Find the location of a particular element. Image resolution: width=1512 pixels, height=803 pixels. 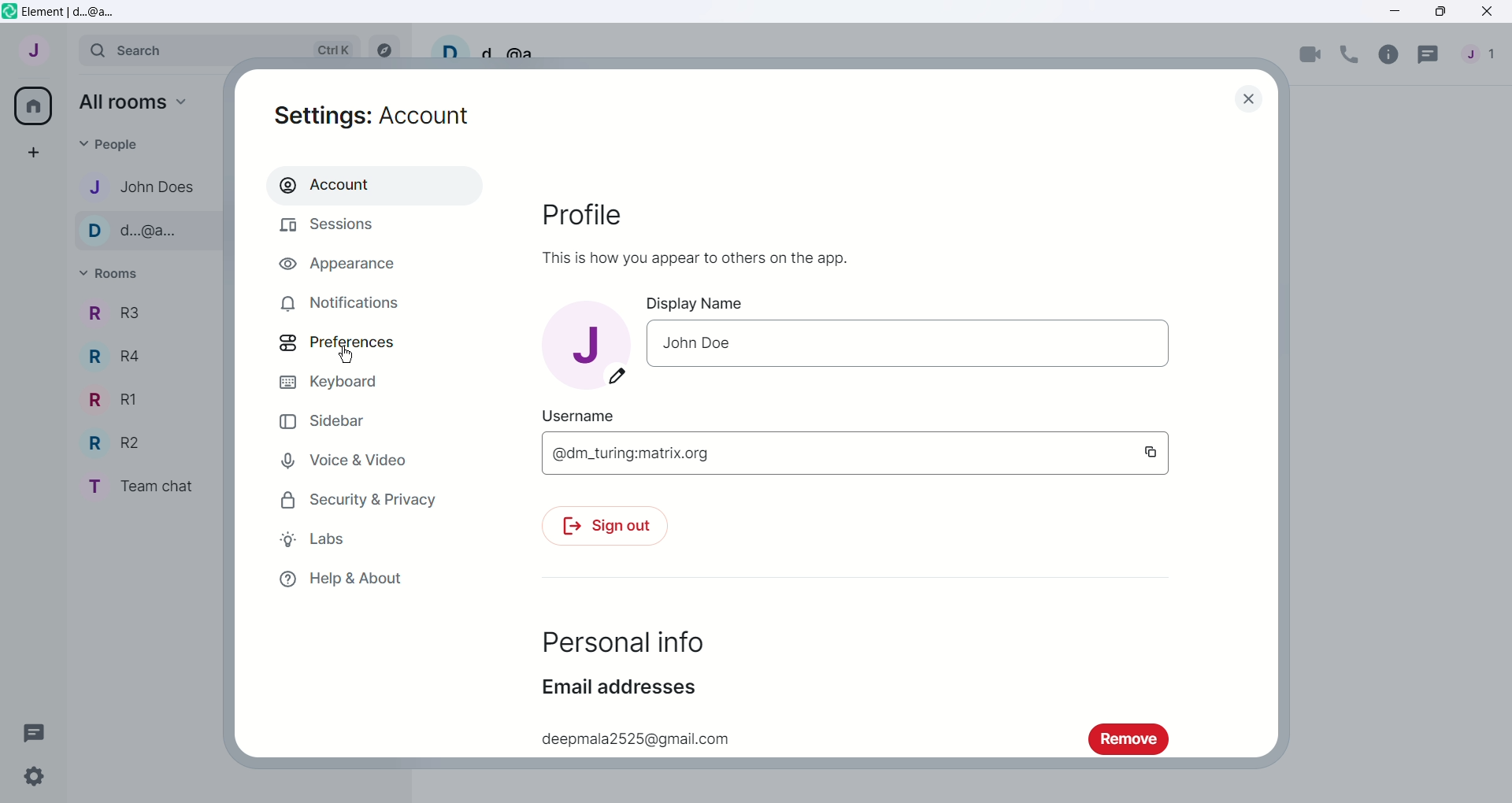

Display Name is located at coordinates (694, 304).